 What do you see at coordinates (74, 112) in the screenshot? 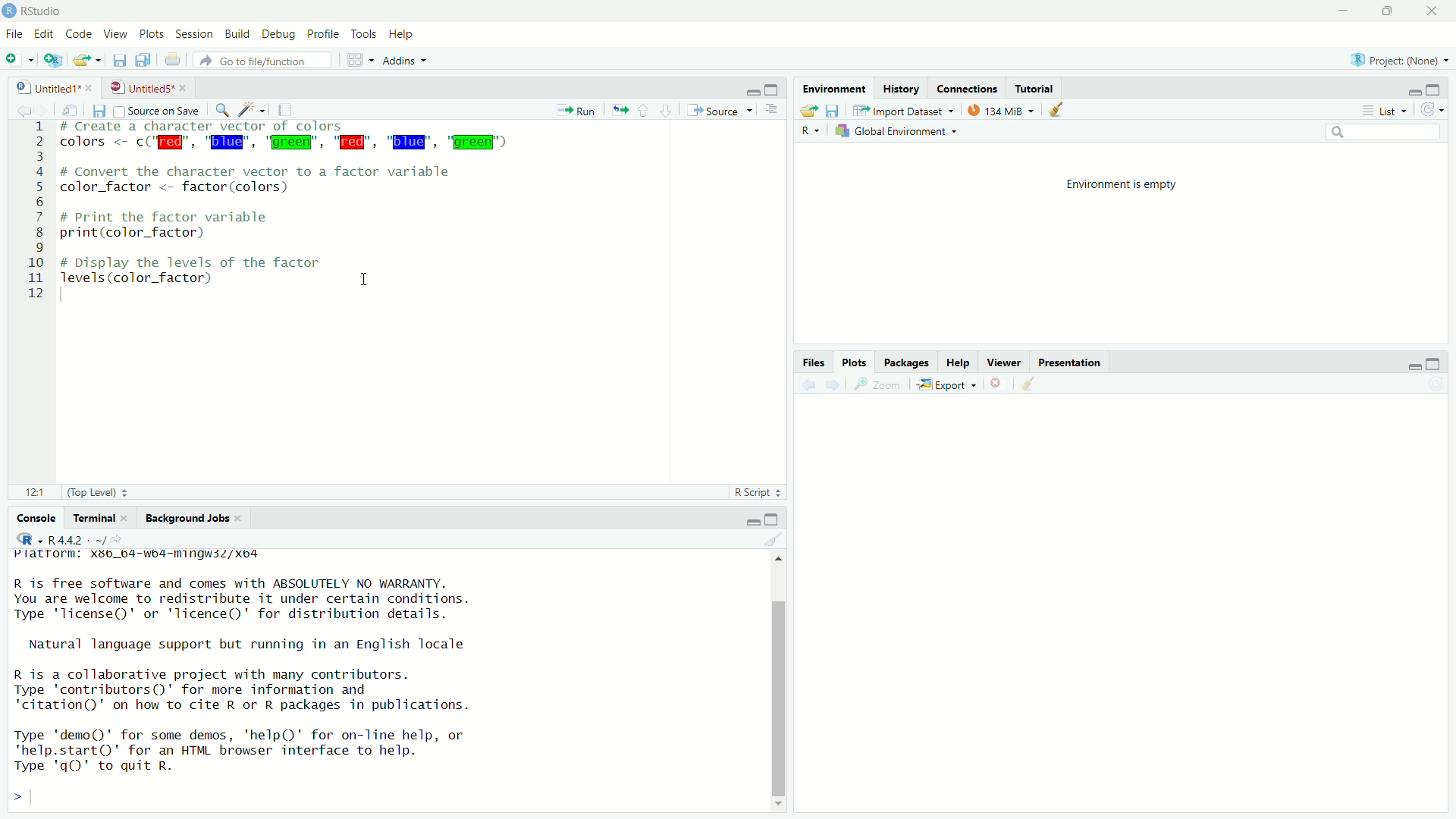
I see `show in new window` at bounding box center [74, 112].